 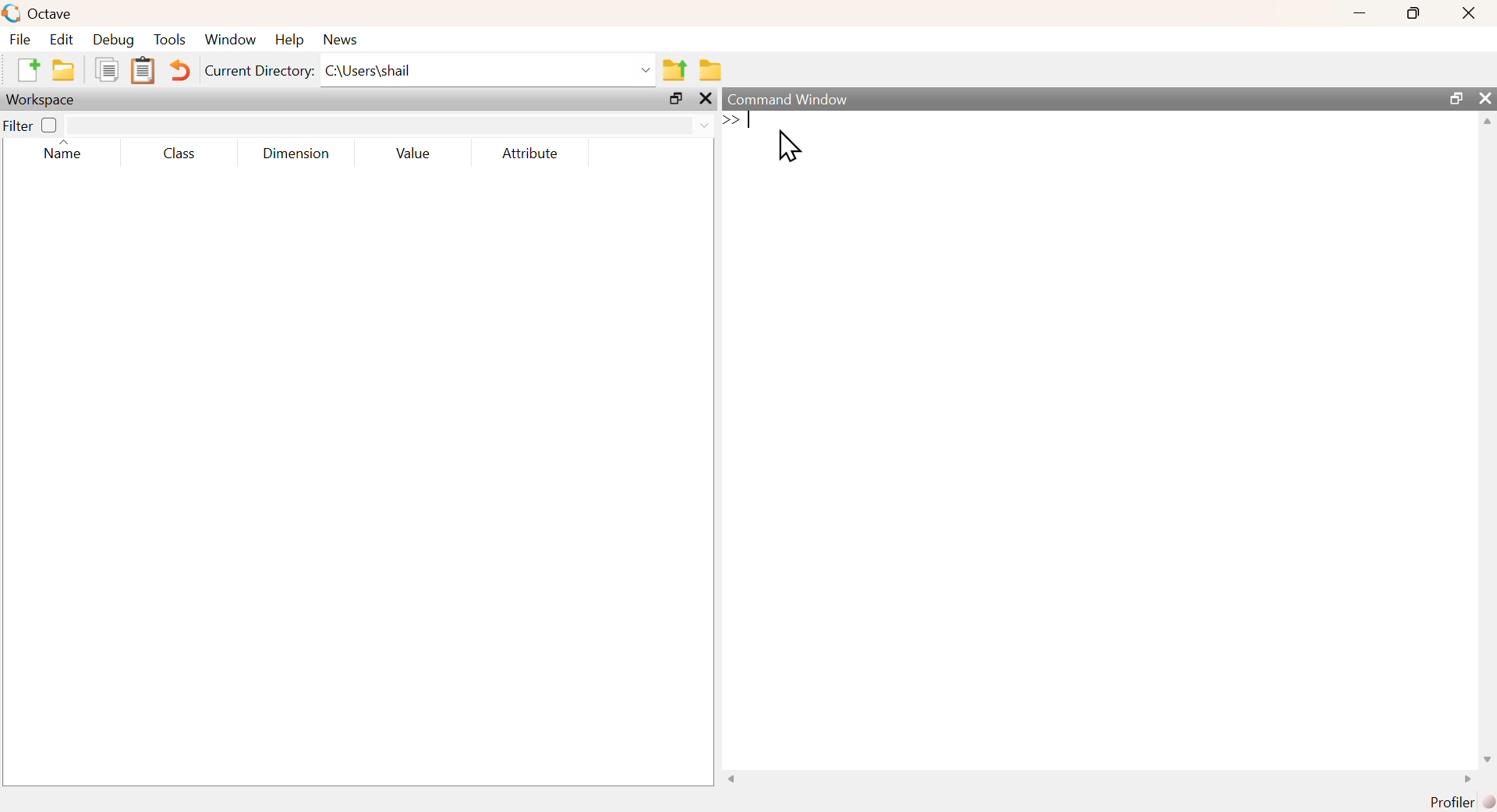 I want to click on Expand, so click(x=731, y=120).